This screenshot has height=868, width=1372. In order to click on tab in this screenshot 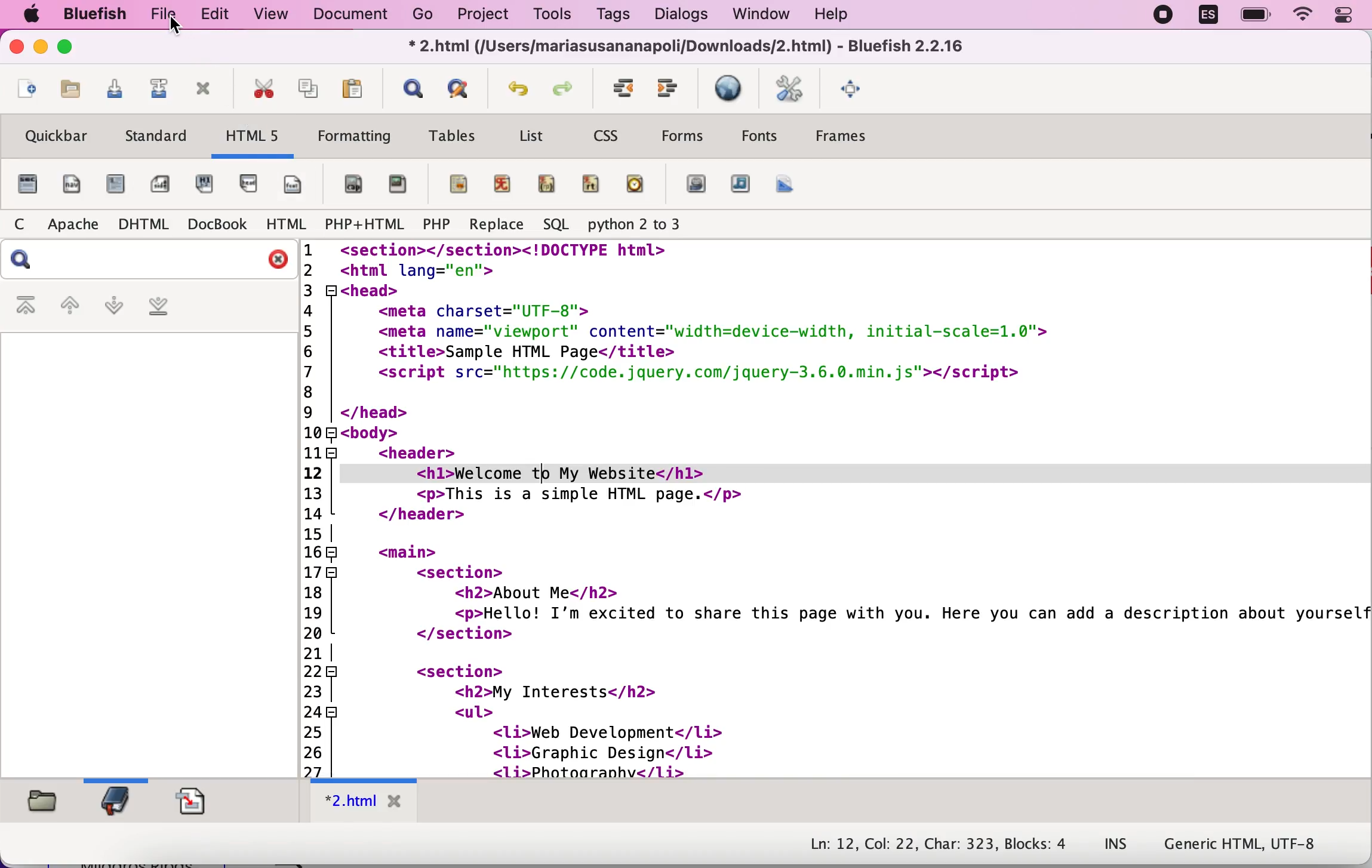, I will do `click(362, 802)`.